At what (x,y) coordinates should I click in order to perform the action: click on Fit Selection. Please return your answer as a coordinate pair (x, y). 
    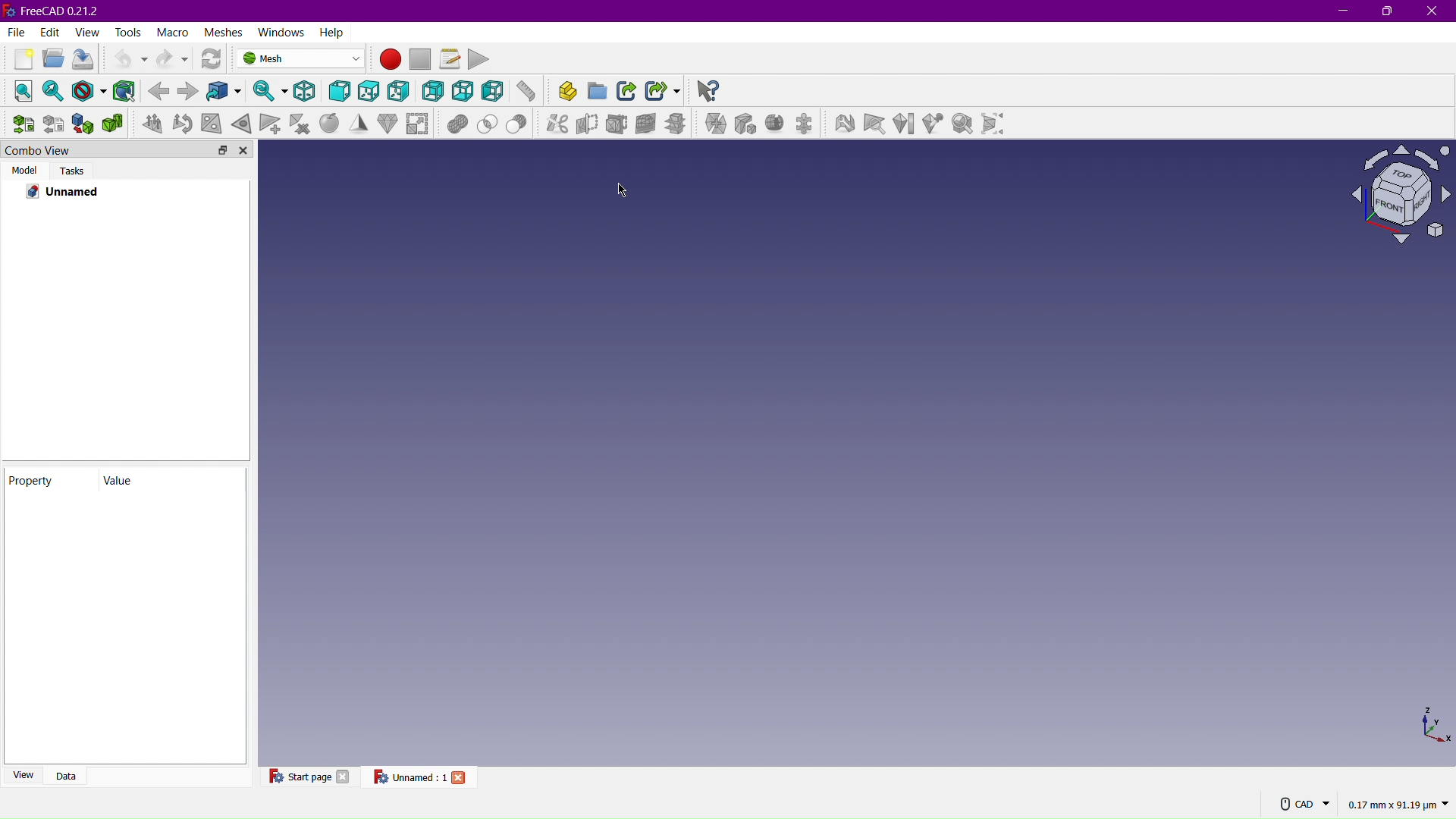
    Looking at the image, I should click on (55, 91).